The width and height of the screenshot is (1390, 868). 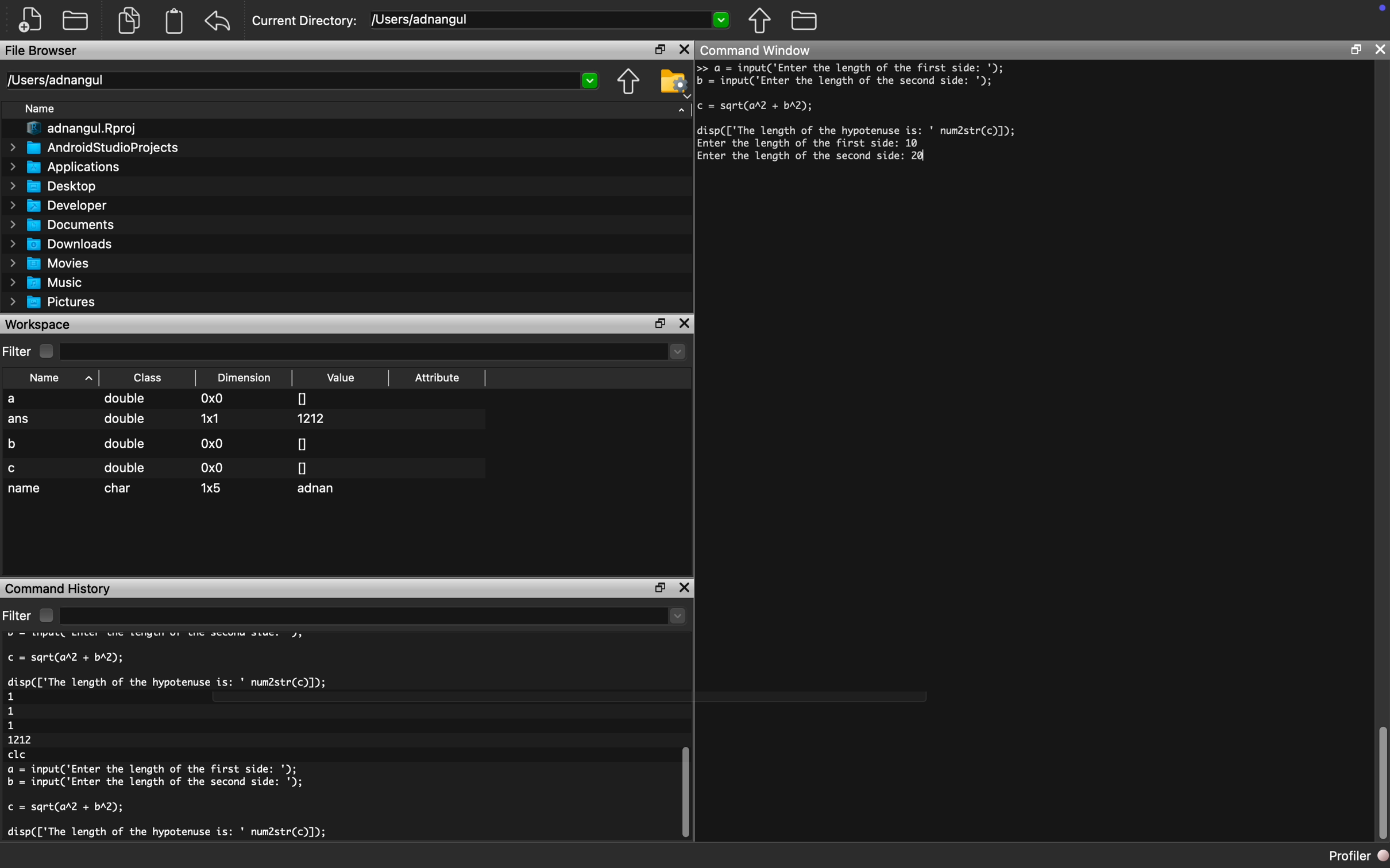 What do you see at coordinates (804, 19) in the screenshot?
I see `folder` at bounding box center [804, 19].